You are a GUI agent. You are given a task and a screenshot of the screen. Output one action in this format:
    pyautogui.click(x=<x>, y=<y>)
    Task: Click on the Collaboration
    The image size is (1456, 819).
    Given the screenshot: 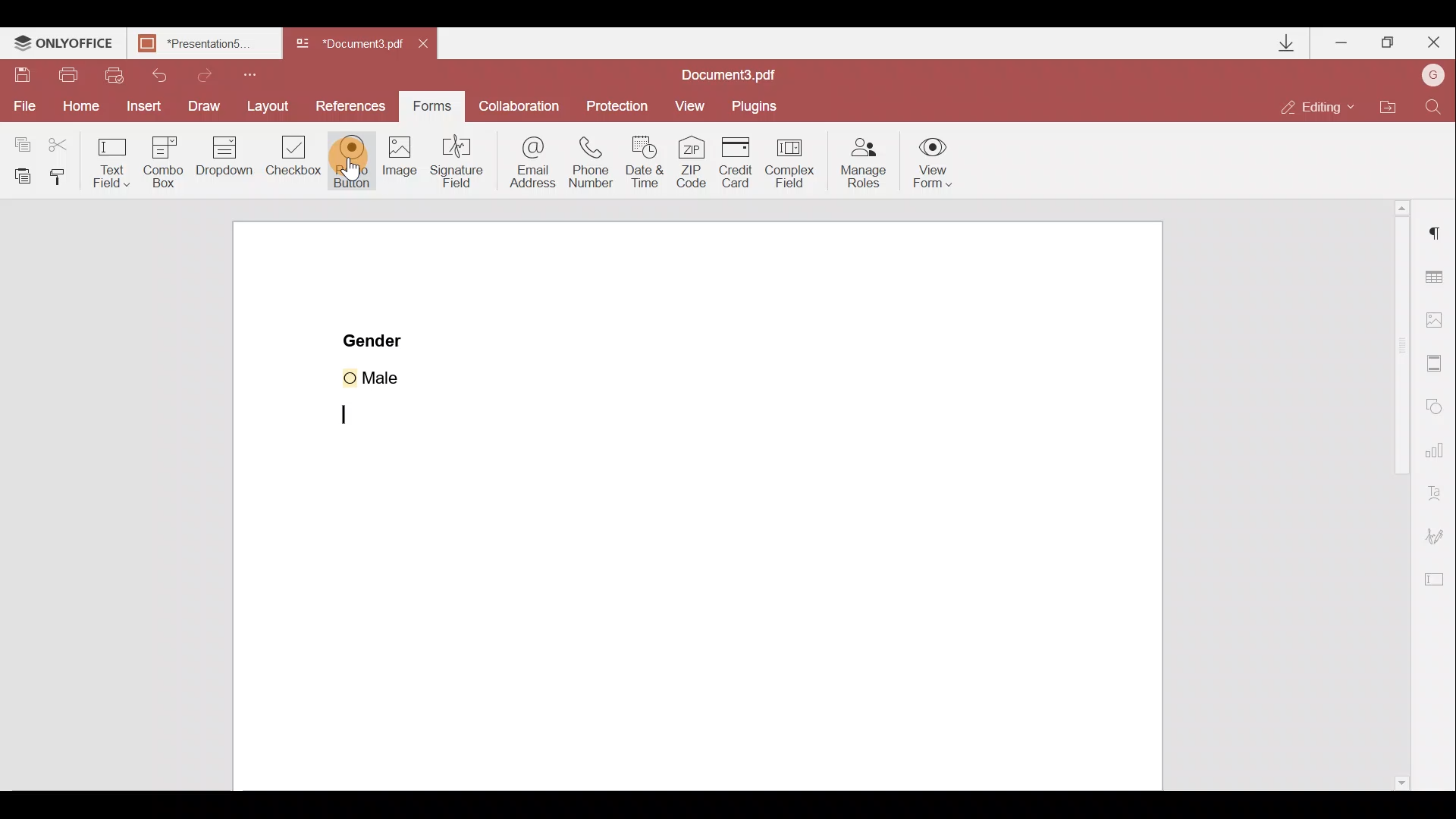 What is the action you would take?
    pyautogui.click(x=523, y=105)
    